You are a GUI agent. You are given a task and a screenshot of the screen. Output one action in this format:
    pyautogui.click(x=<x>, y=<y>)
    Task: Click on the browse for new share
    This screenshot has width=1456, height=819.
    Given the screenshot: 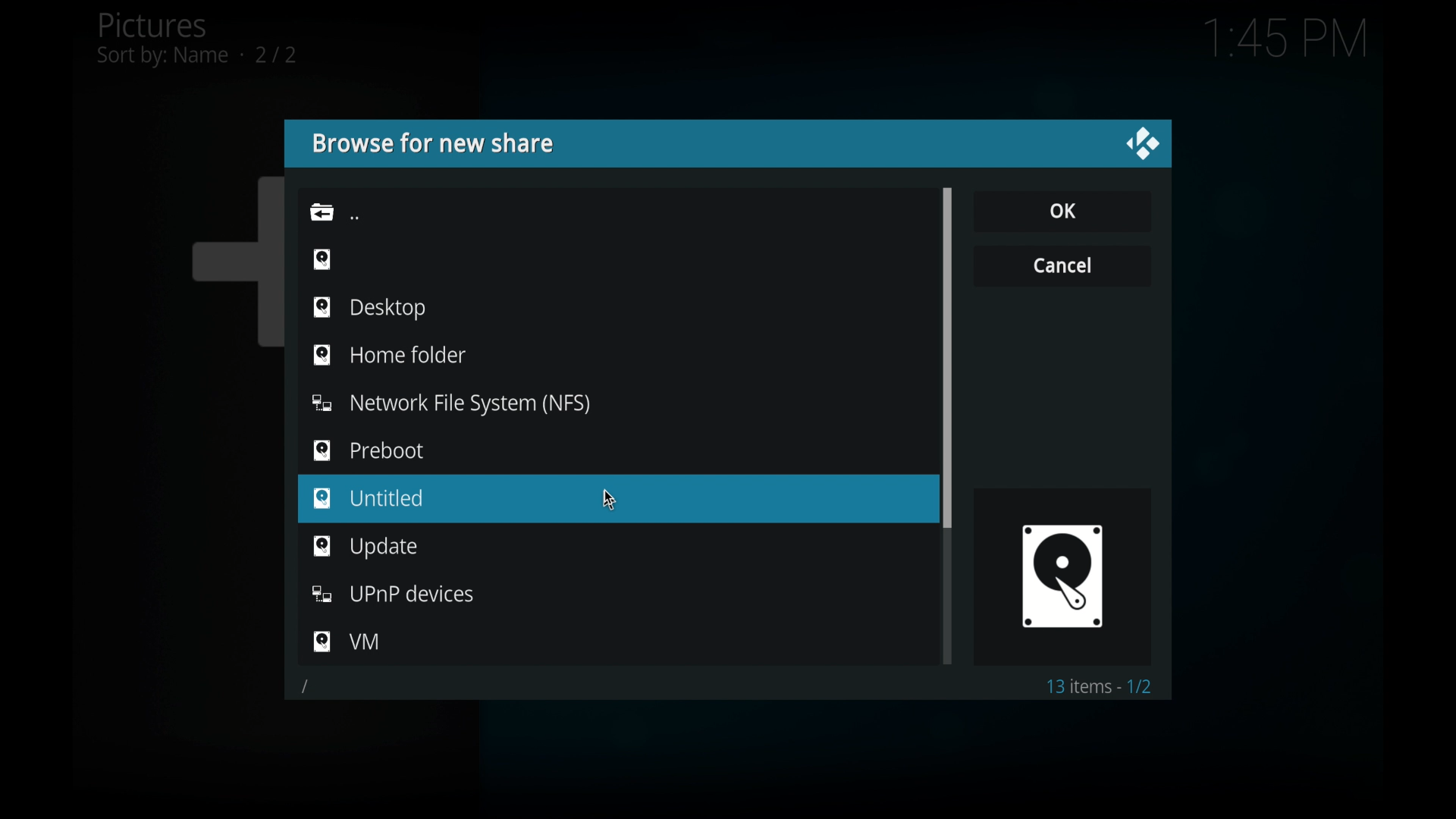 What is the action you would take?
    pyautogui.click(x=437, y=143)
    